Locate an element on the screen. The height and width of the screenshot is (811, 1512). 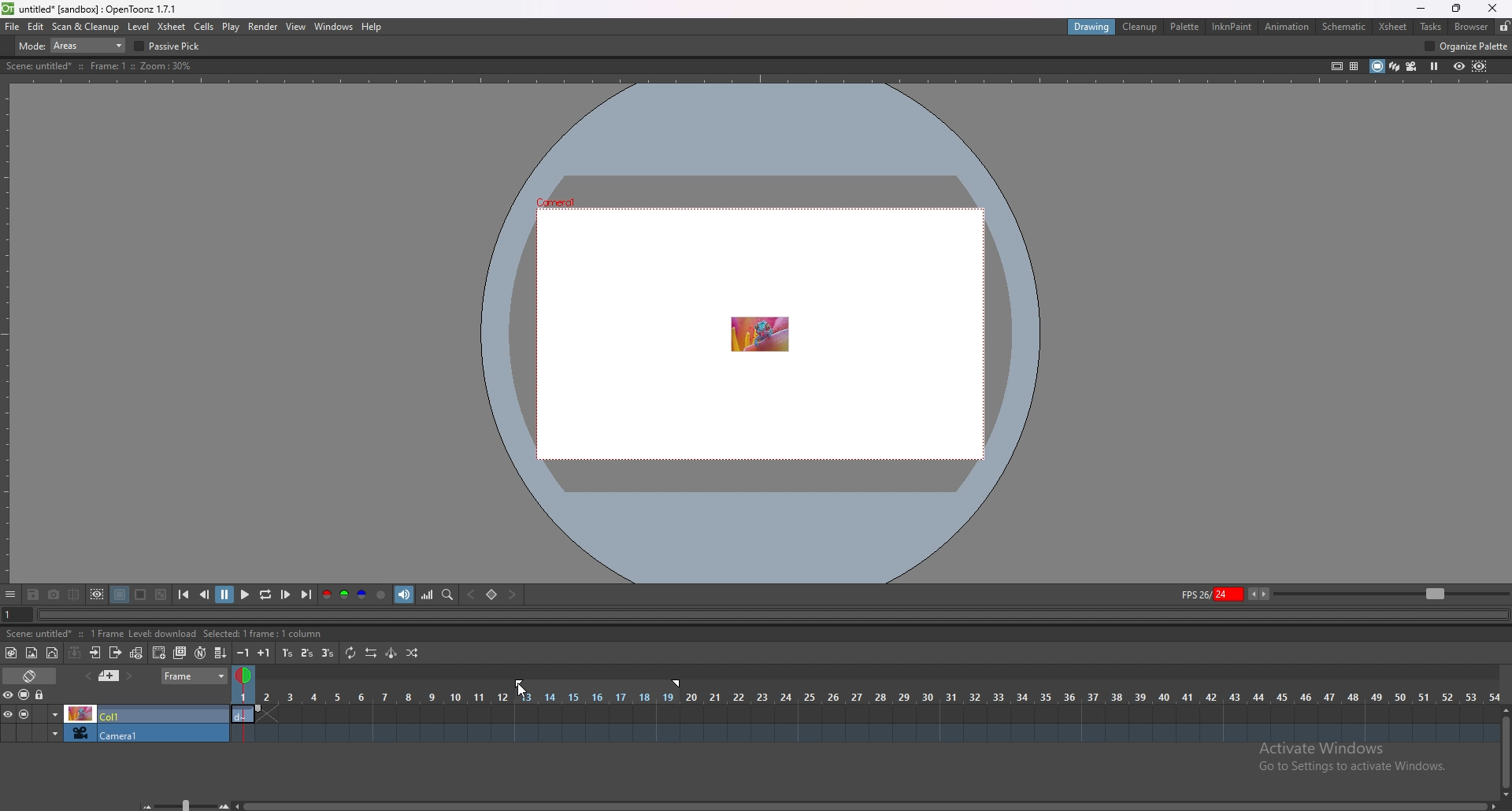
previous is located at coordinates (205, 594).